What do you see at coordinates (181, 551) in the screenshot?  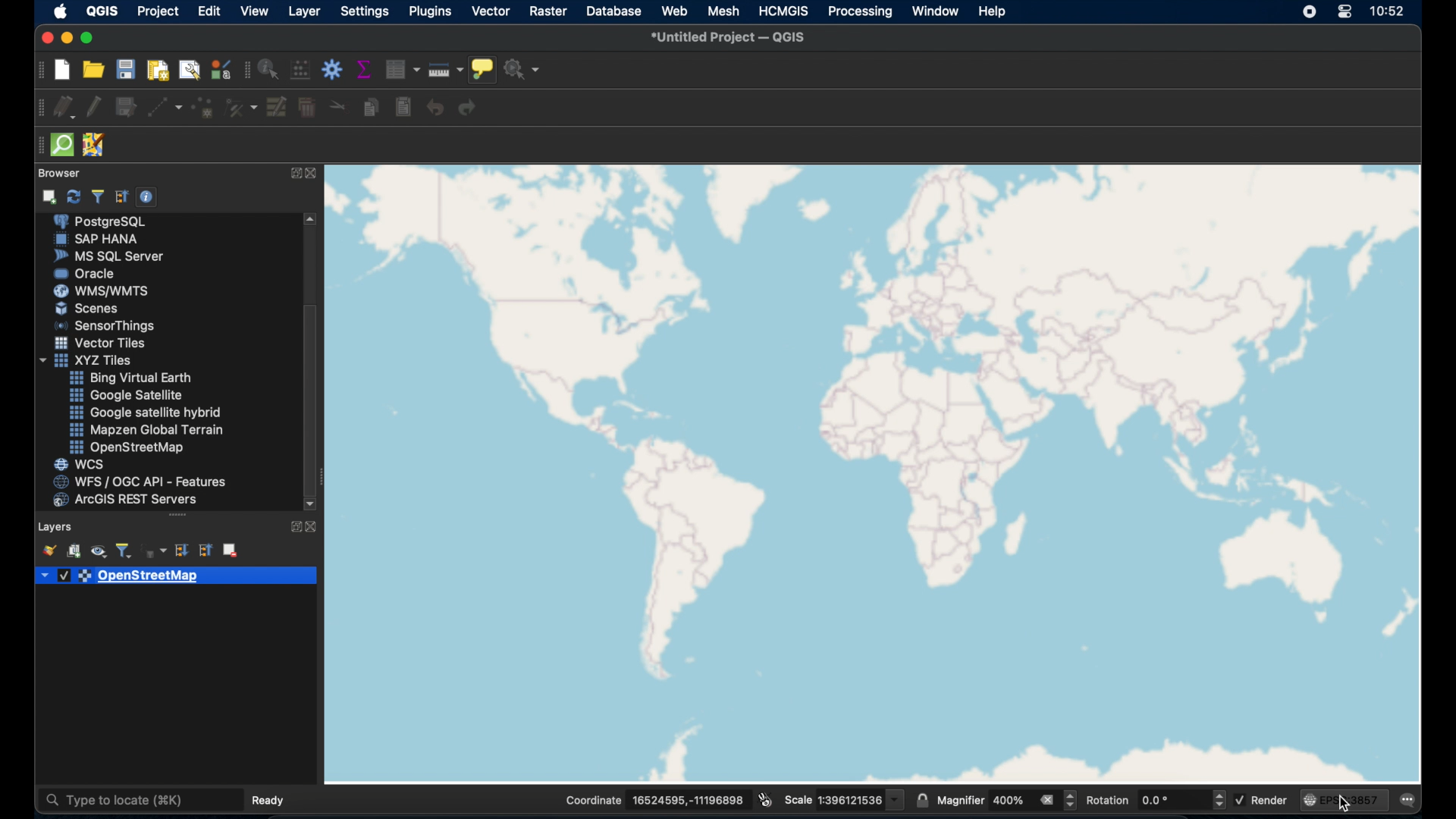 I see `expand all` at bounding box center [181, 551].